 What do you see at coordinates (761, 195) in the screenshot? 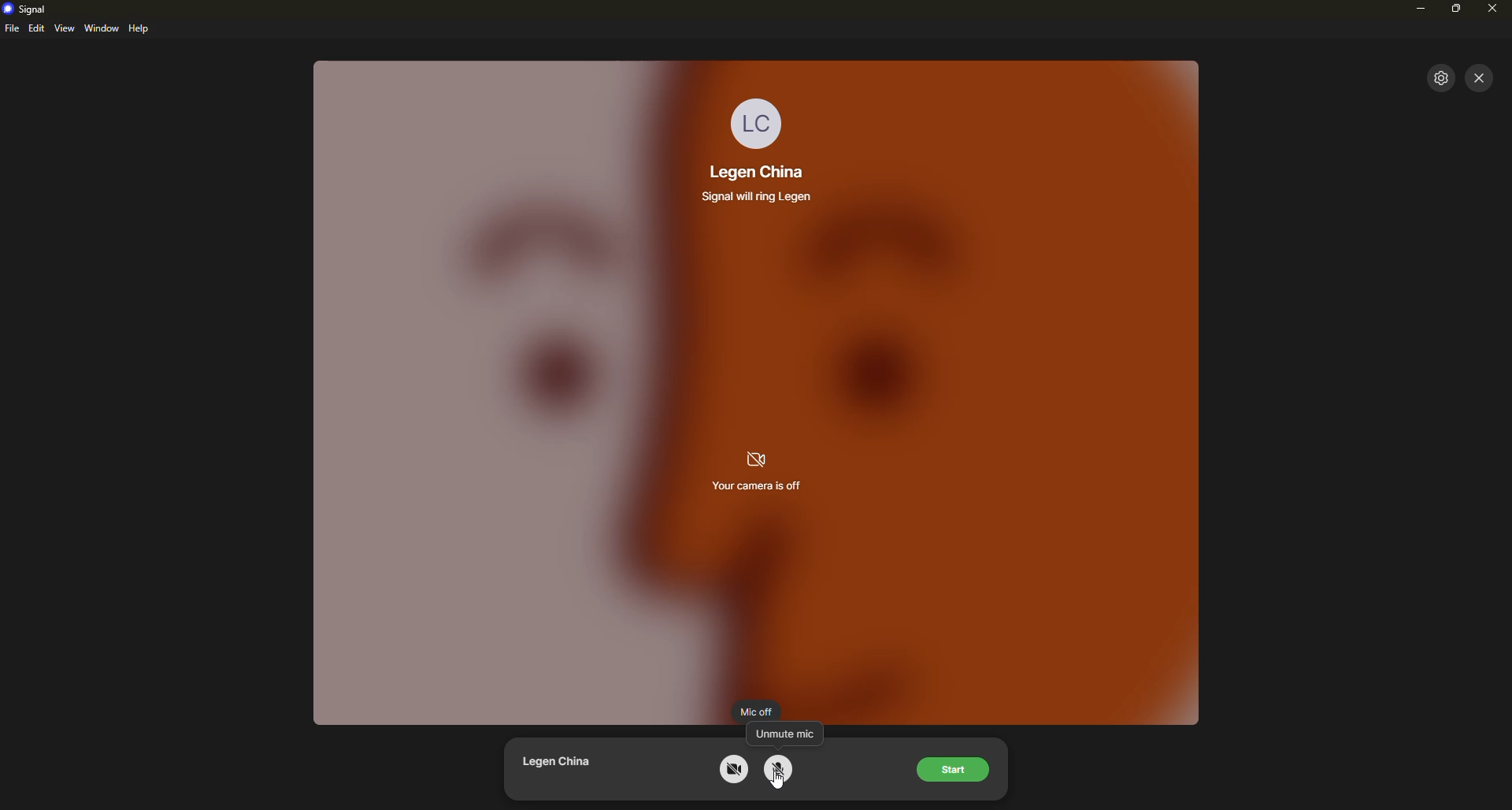
I see `info` at bounding box center [761, 195].